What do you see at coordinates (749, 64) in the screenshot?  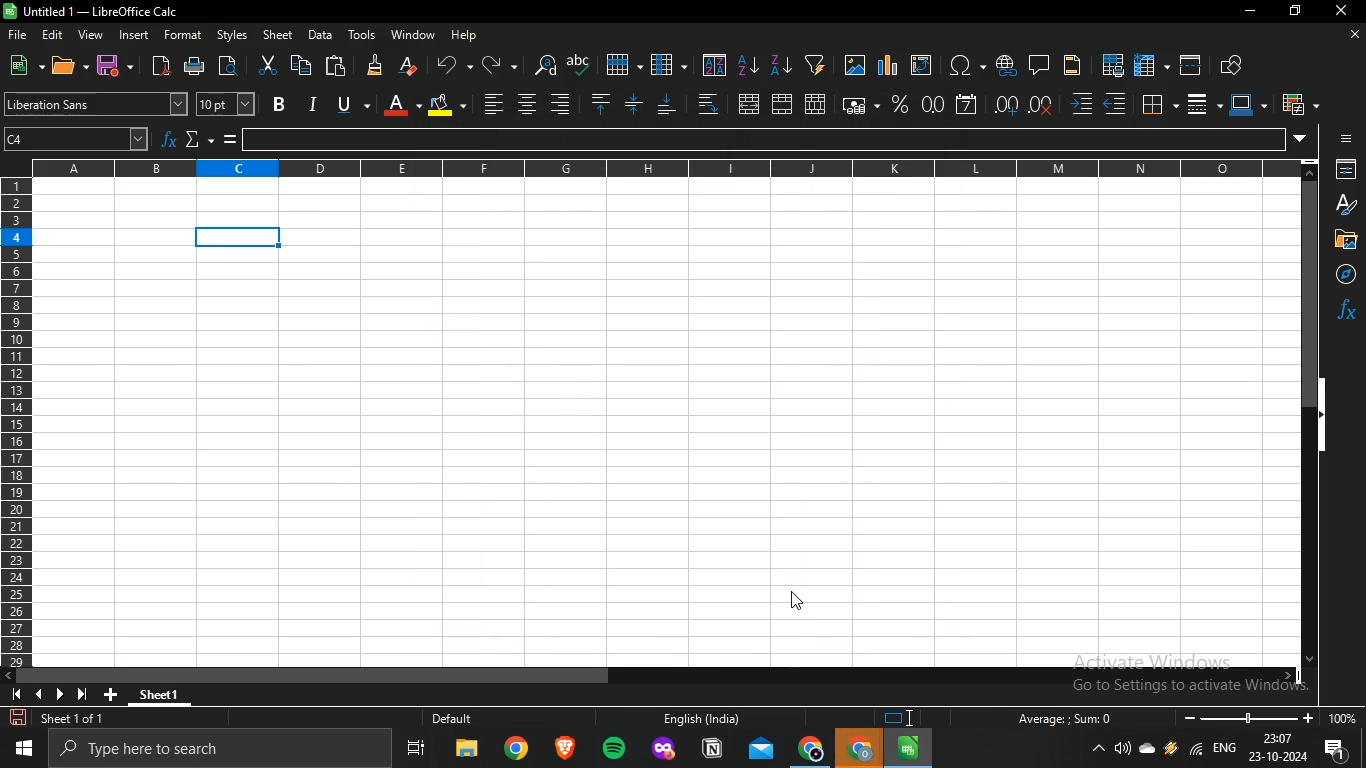 I see `sort ascending` at bounding box center [749, 64].